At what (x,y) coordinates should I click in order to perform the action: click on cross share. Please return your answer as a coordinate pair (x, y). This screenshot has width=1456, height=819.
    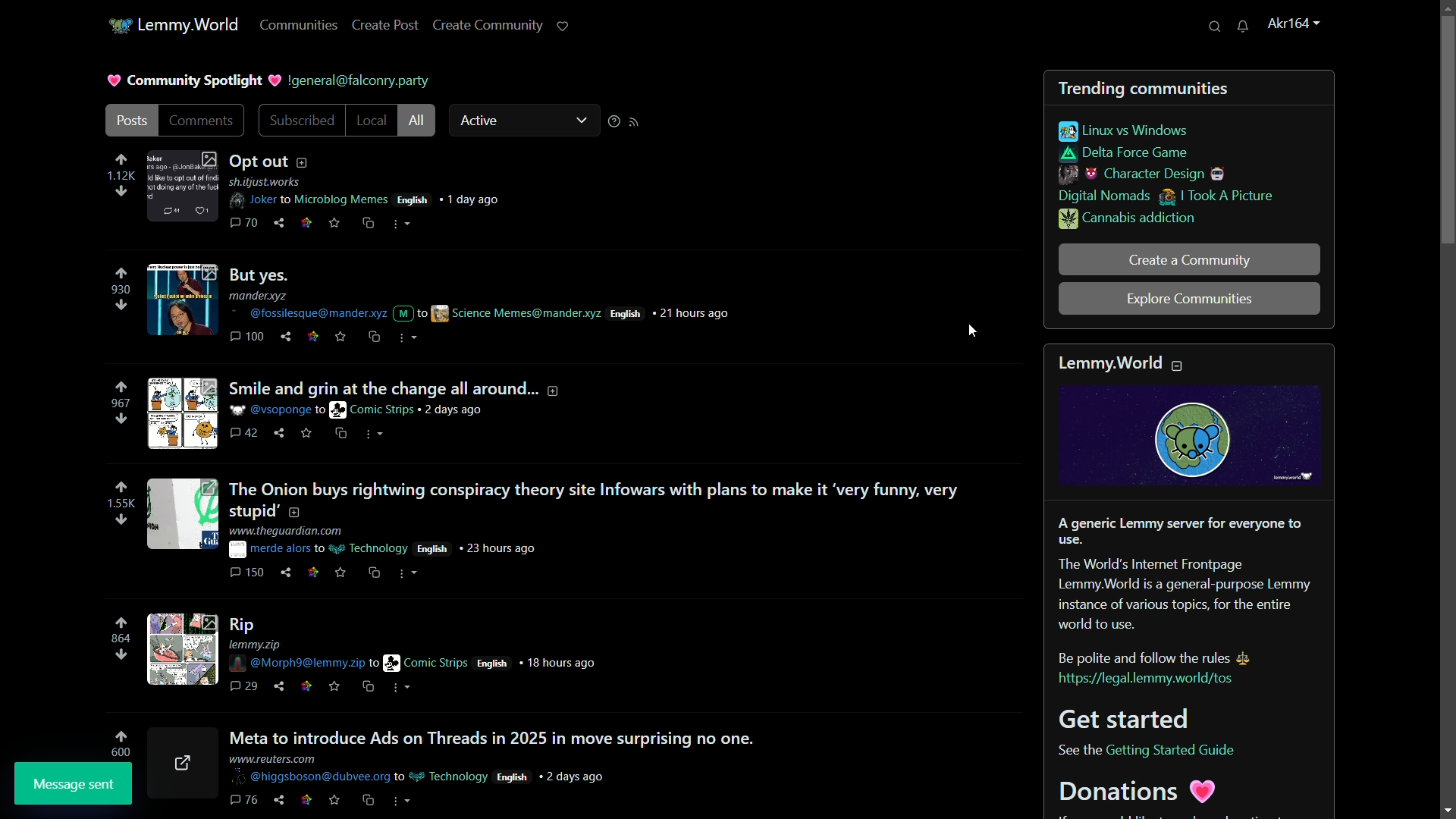
    Looking at the image, I should click on (372, 220).